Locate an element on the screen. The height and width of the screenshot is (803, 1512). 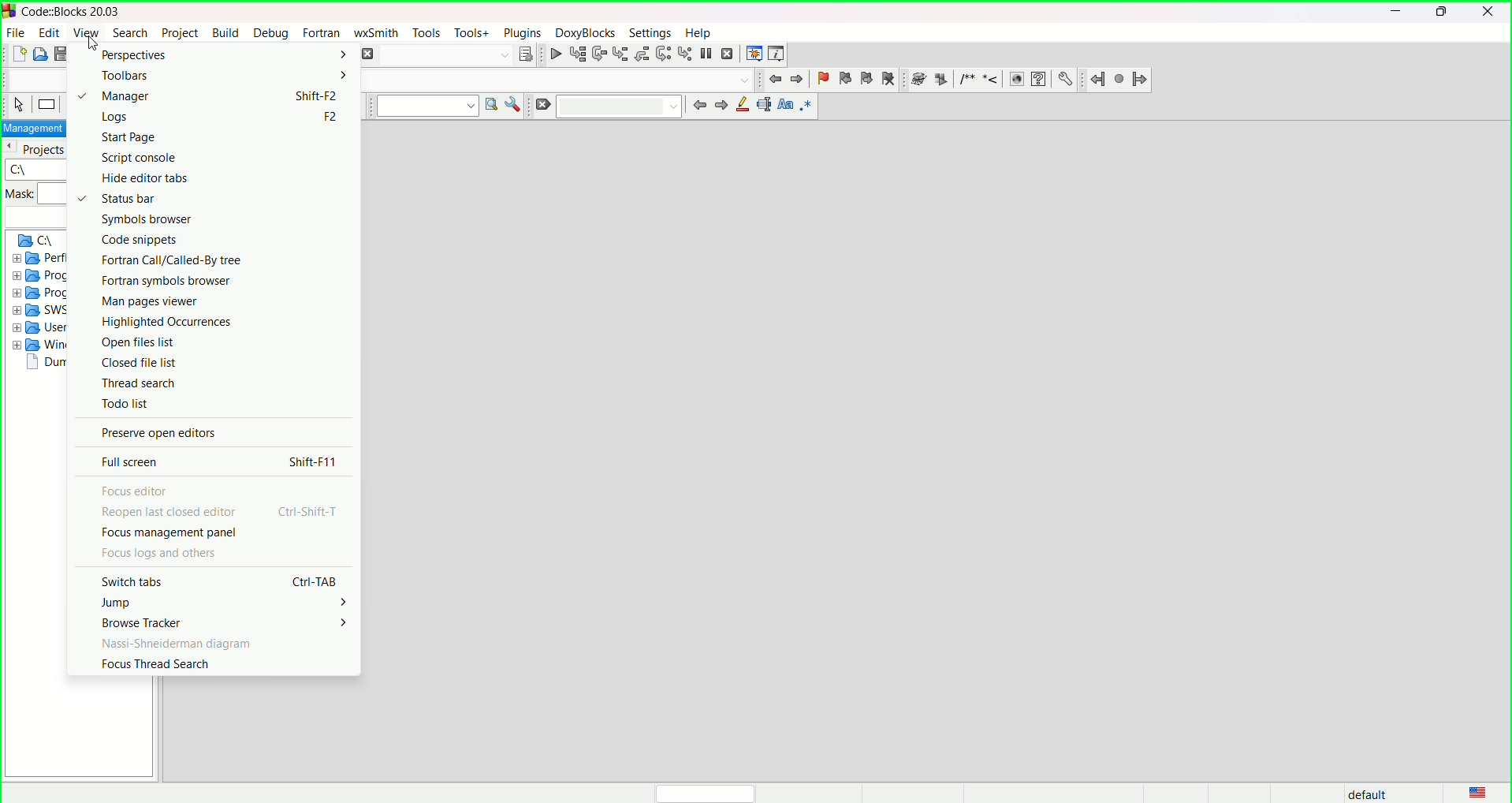
show option window is located at coordinates (516, 104).